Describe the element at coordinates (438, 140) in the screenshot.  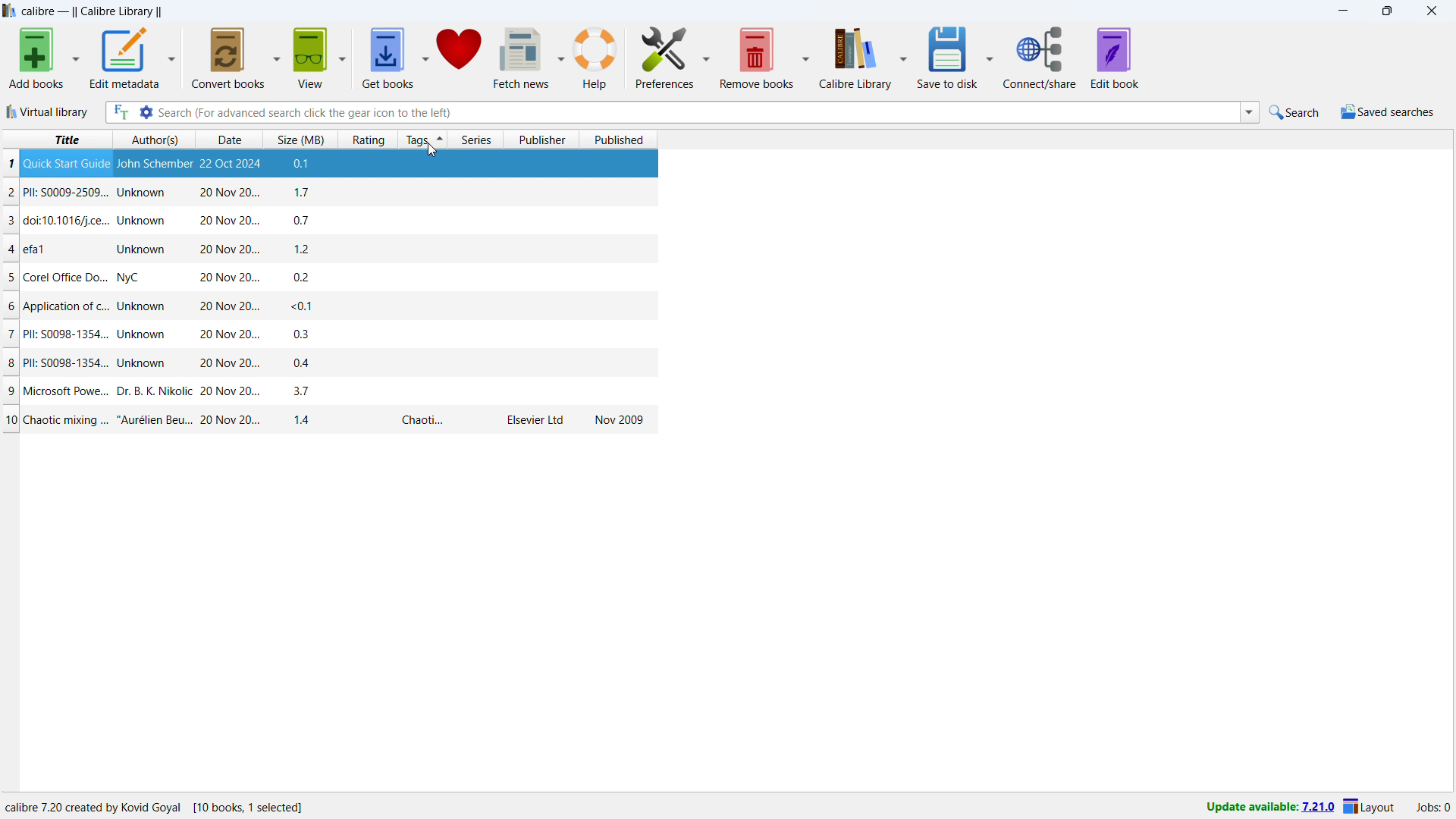
I see `sorted by tags in ascending order` at that location.